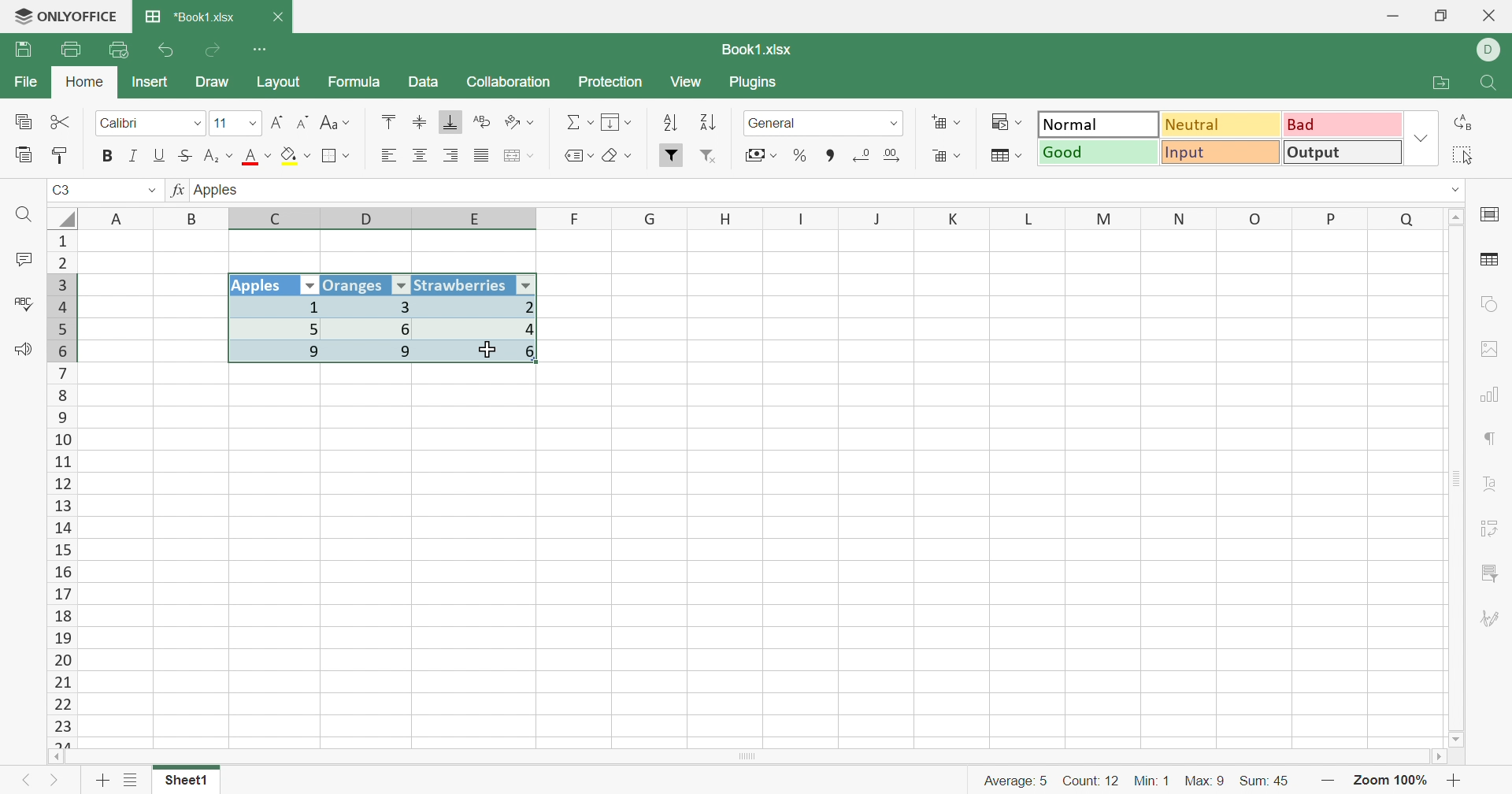 The height and width of the screenshot is (794, 1512). I want to click on Bold, so click(108, 155).